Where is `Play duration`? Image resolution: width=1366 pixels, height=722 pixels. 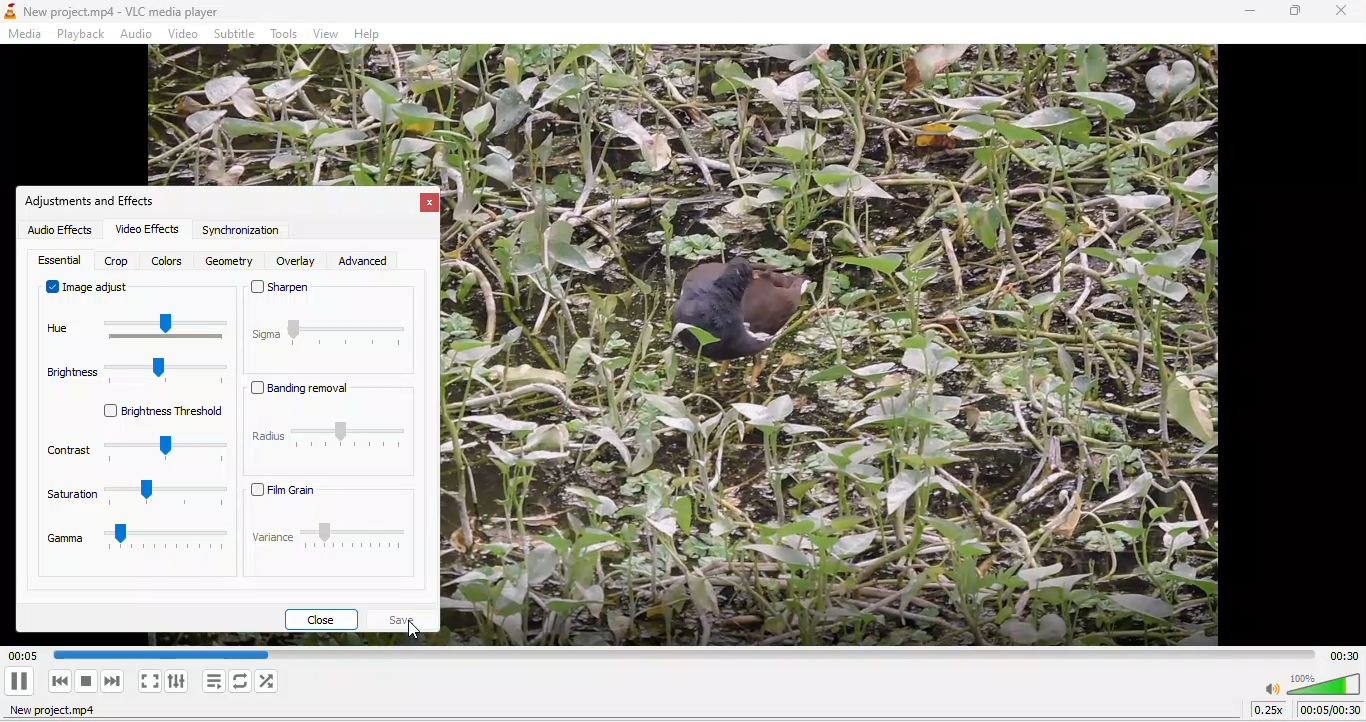
Play duration is located at coordinates (1342, 654).